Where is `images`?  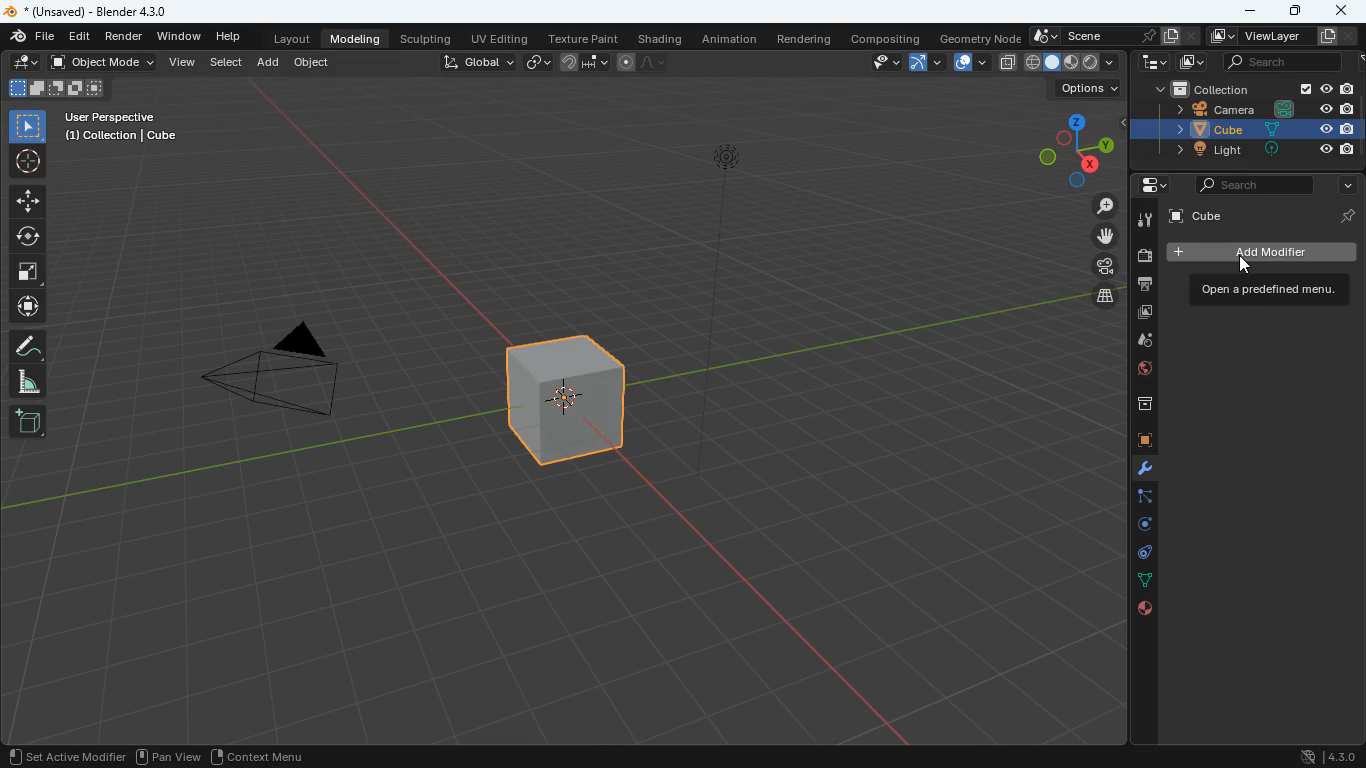
images is located at coordinates (1188, 62).